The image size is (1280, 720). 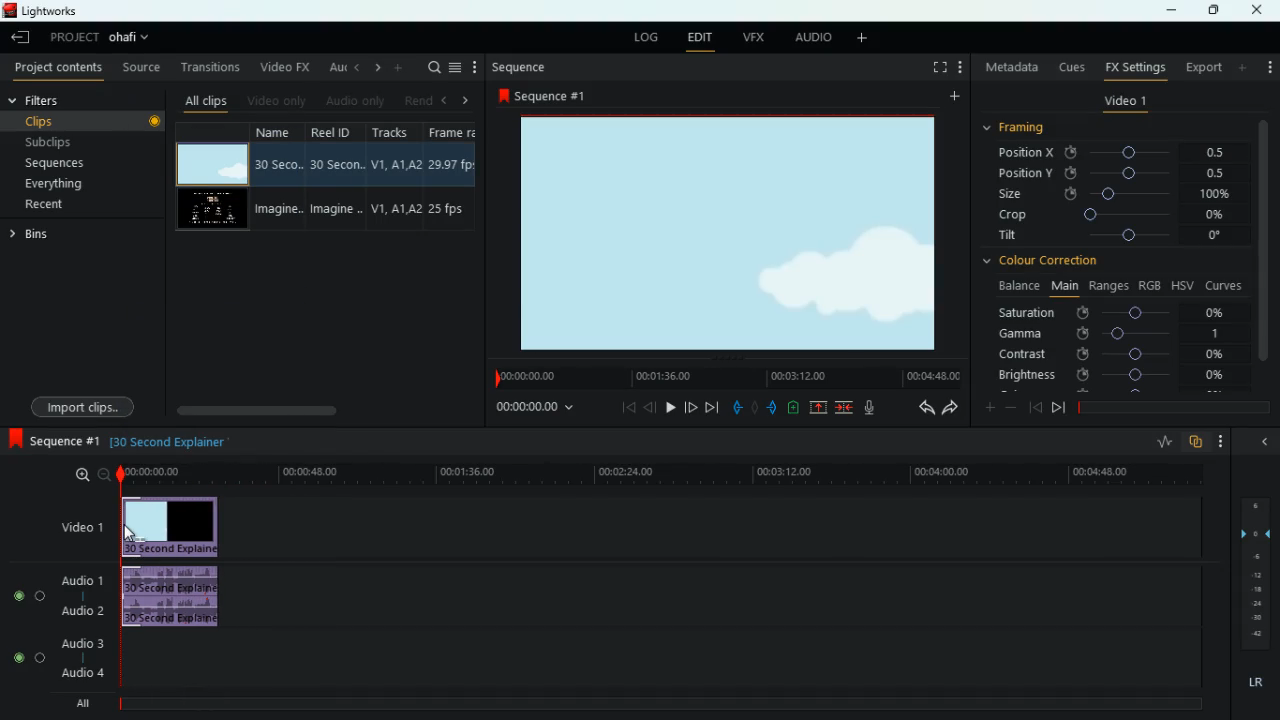 I want to click on tilt, so click(x=1115, y=237).